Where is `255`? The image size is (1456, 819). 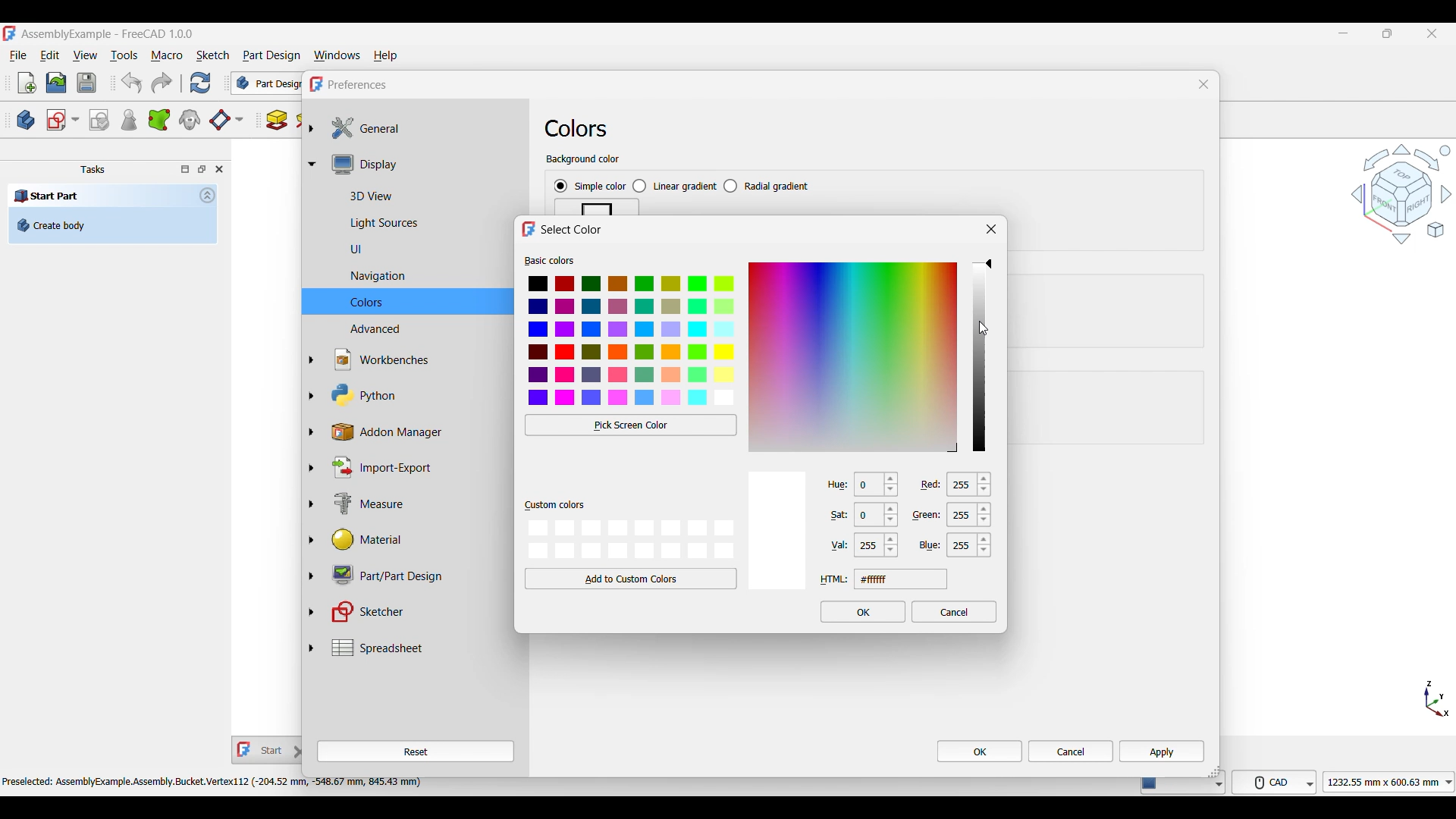 255 is located at coordinates (877, 547).